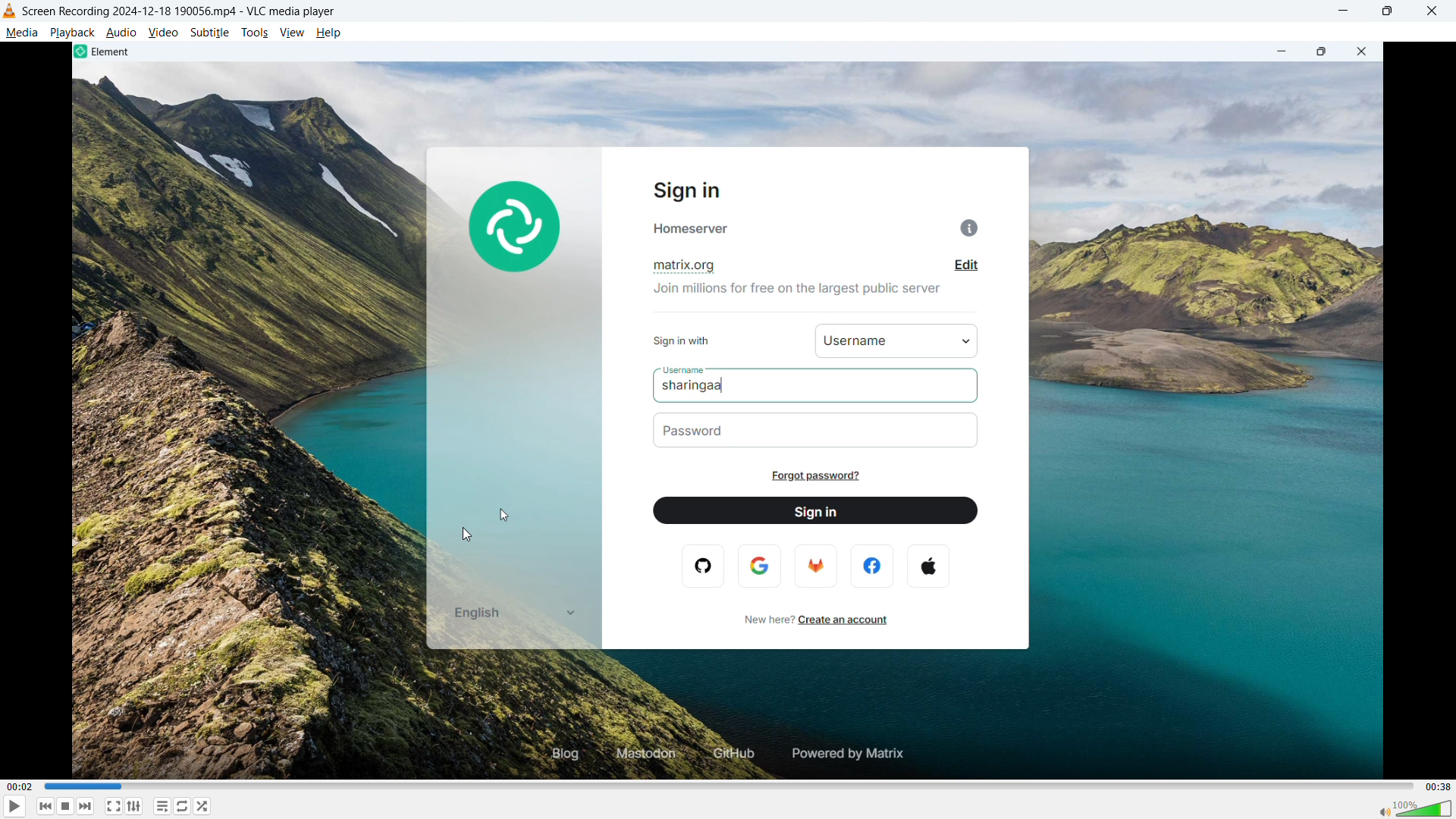 The image size is (1456, 819). What do you see at coordinates (1366, 52) in the screenshot?
I see `close` at bounding box center [1366, 52].